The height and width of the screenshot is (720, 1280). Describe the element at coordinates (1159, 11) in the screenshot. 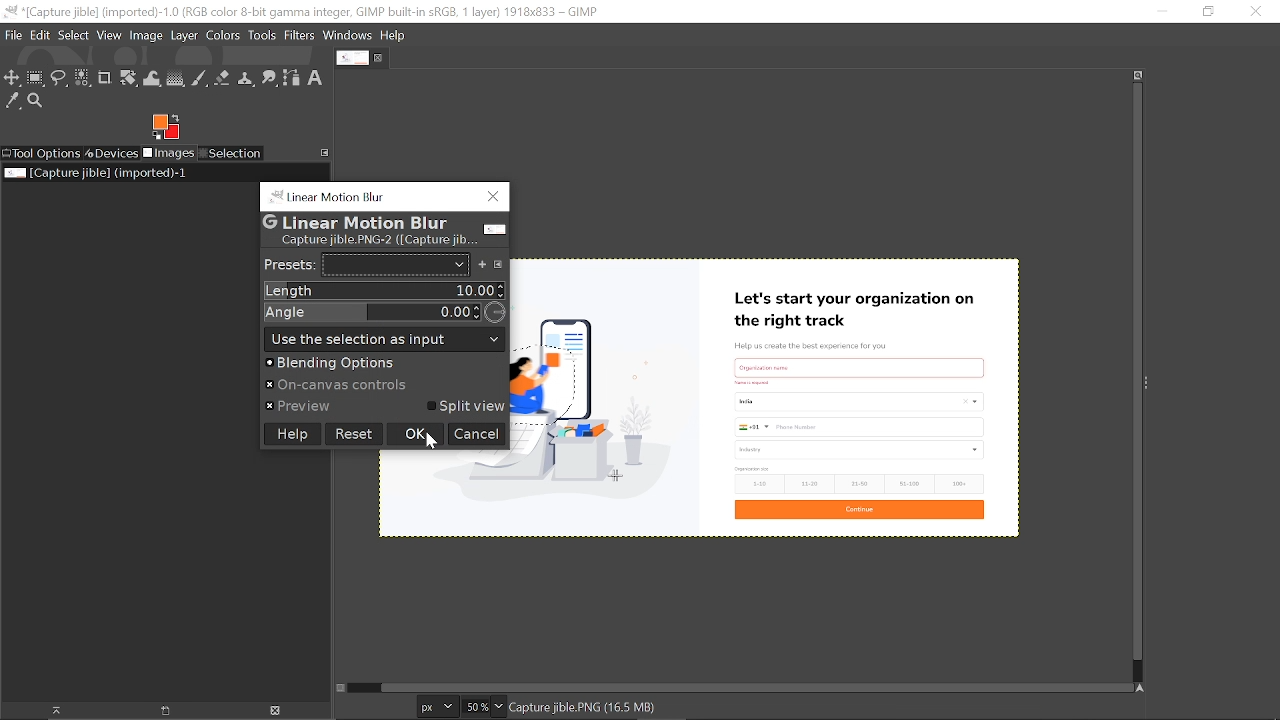

I see `Minimize` at that location.